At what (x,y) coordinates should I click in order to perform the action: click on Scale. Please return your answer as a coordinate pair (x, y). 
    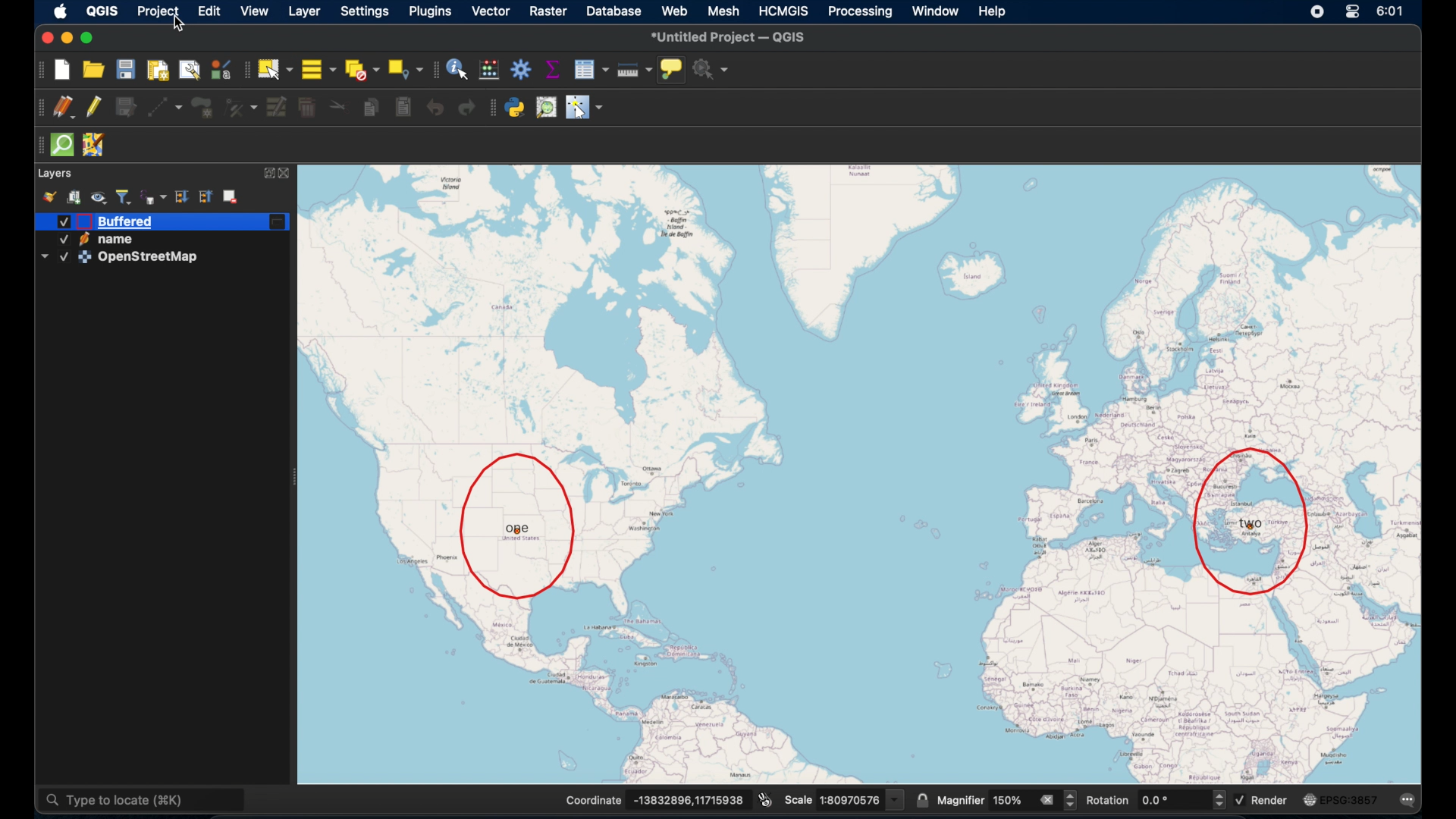
    Looking at the image, I should click on (799, 800).